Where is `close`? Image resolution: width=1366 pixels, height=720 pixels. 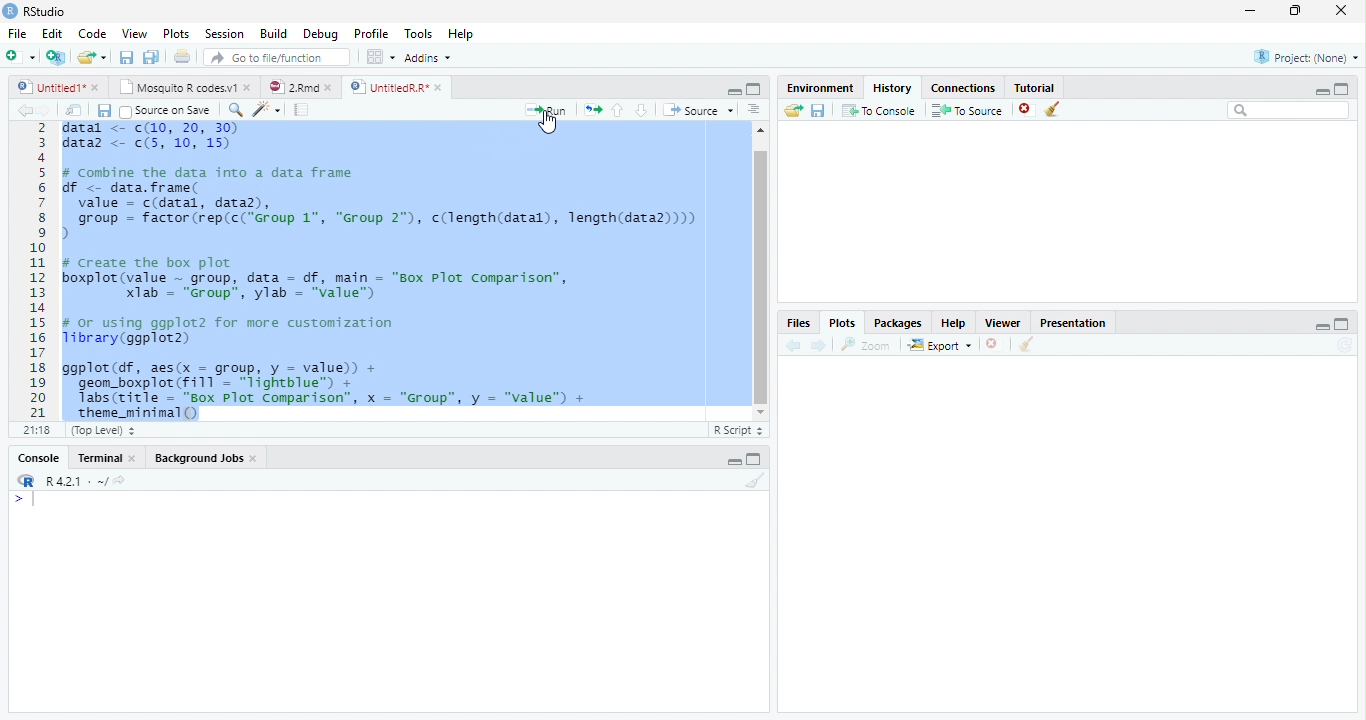
close is located at coordinates (1341, 10).